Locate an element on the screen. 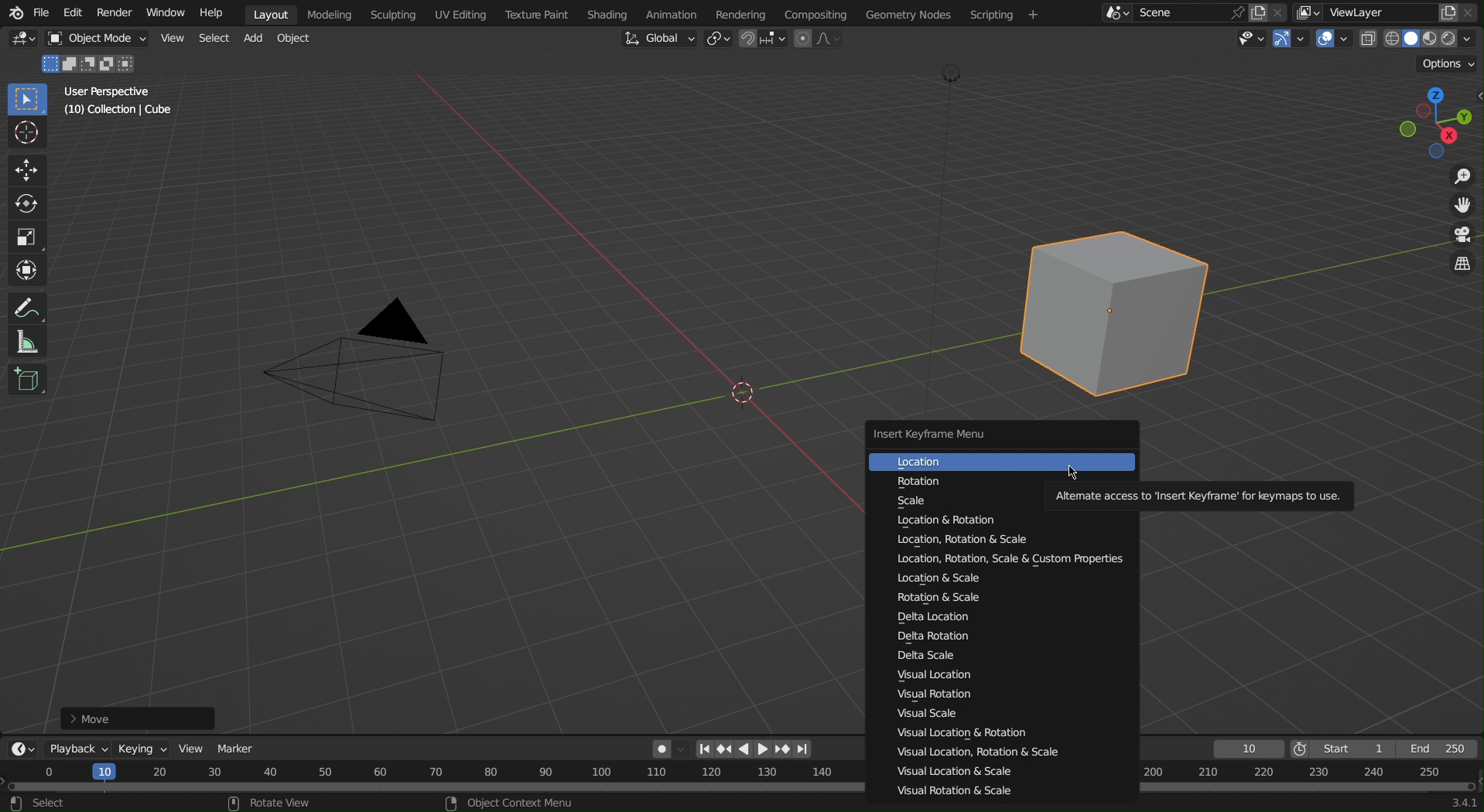 This screenshot has height=812, width=1484. Measure is located at coordinates (26, 343).